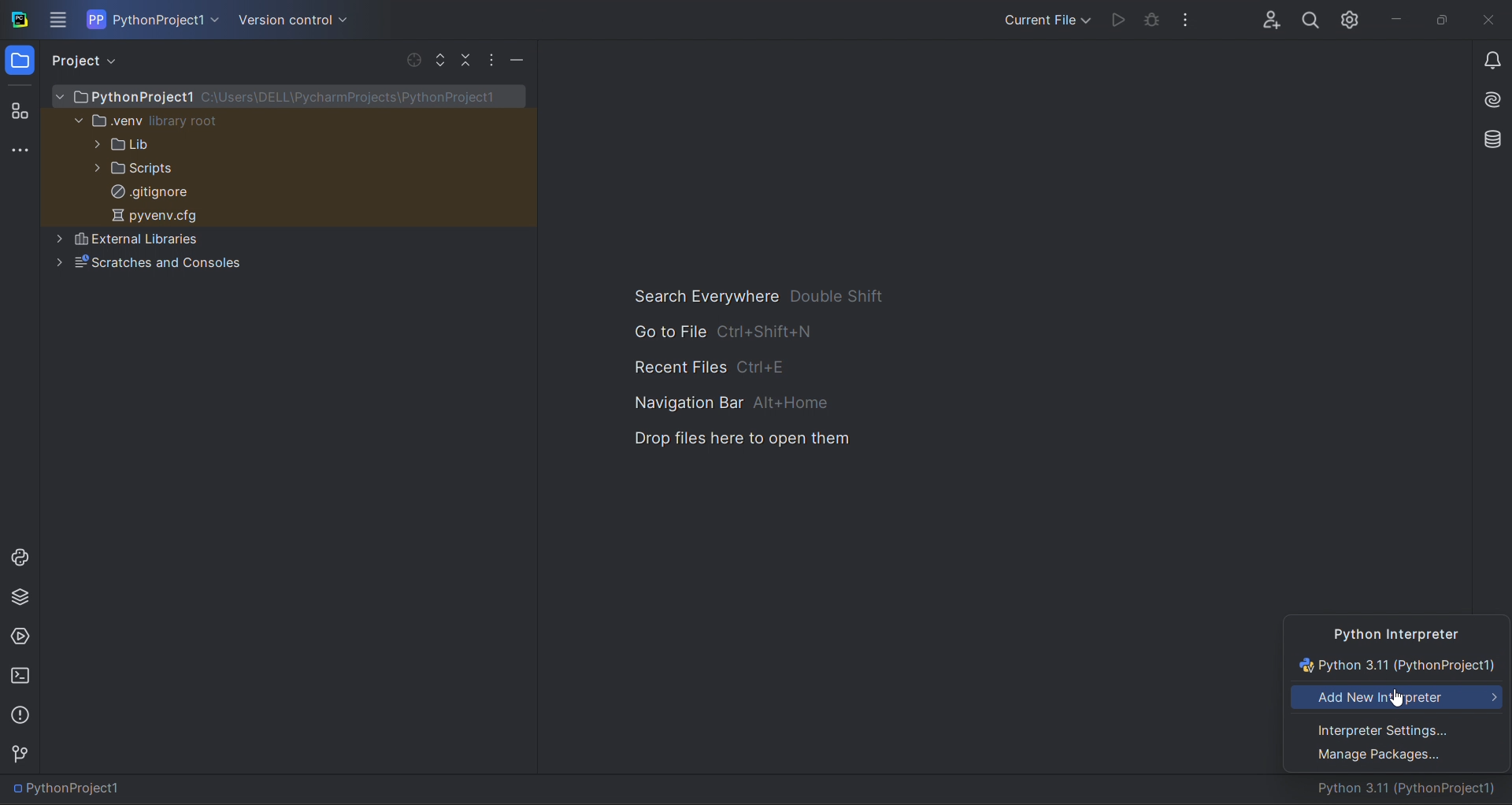  I want to click on more actions, so click(1191, 18).